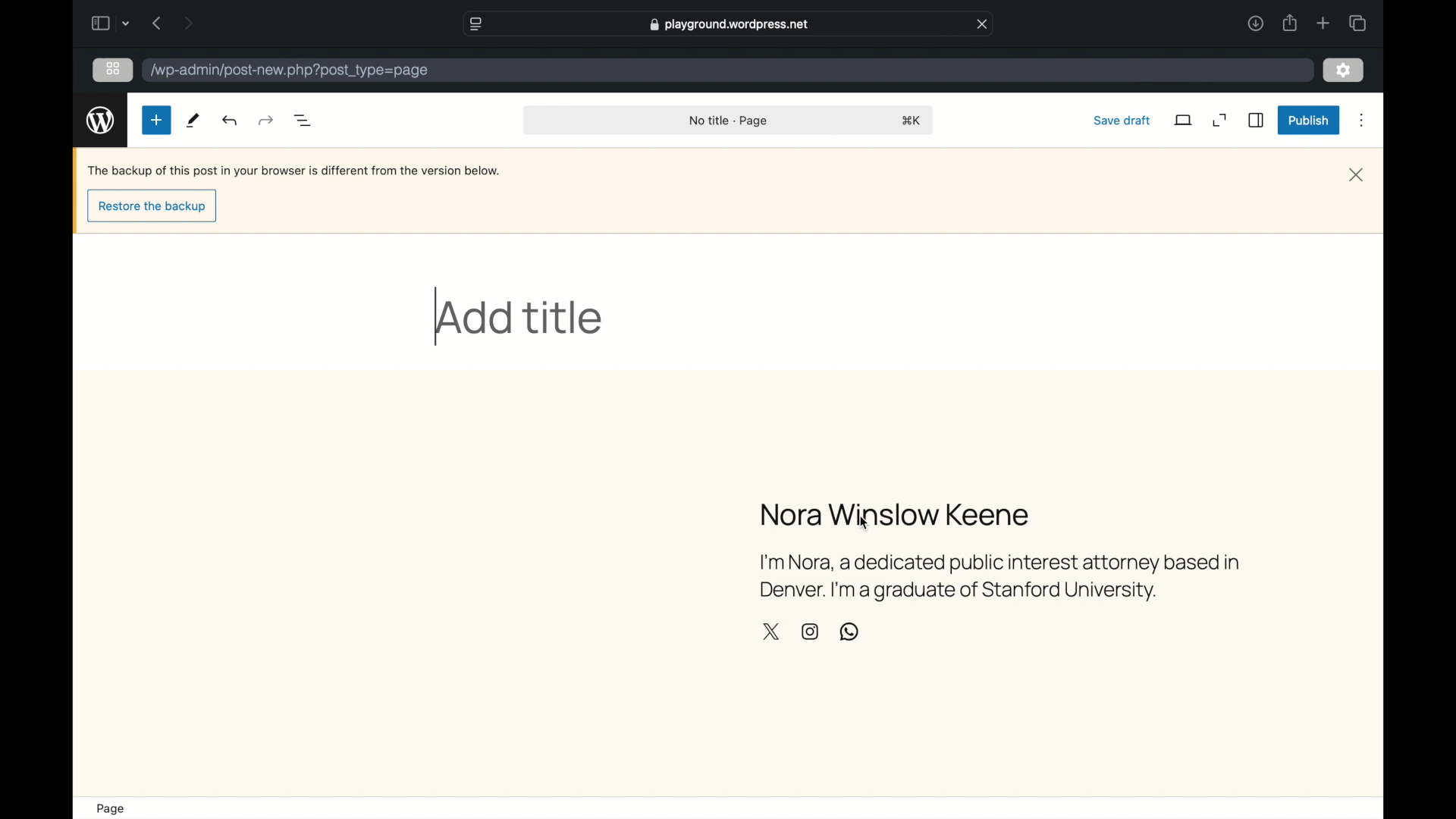  I want to click on wordpress address, so click(290, 71).